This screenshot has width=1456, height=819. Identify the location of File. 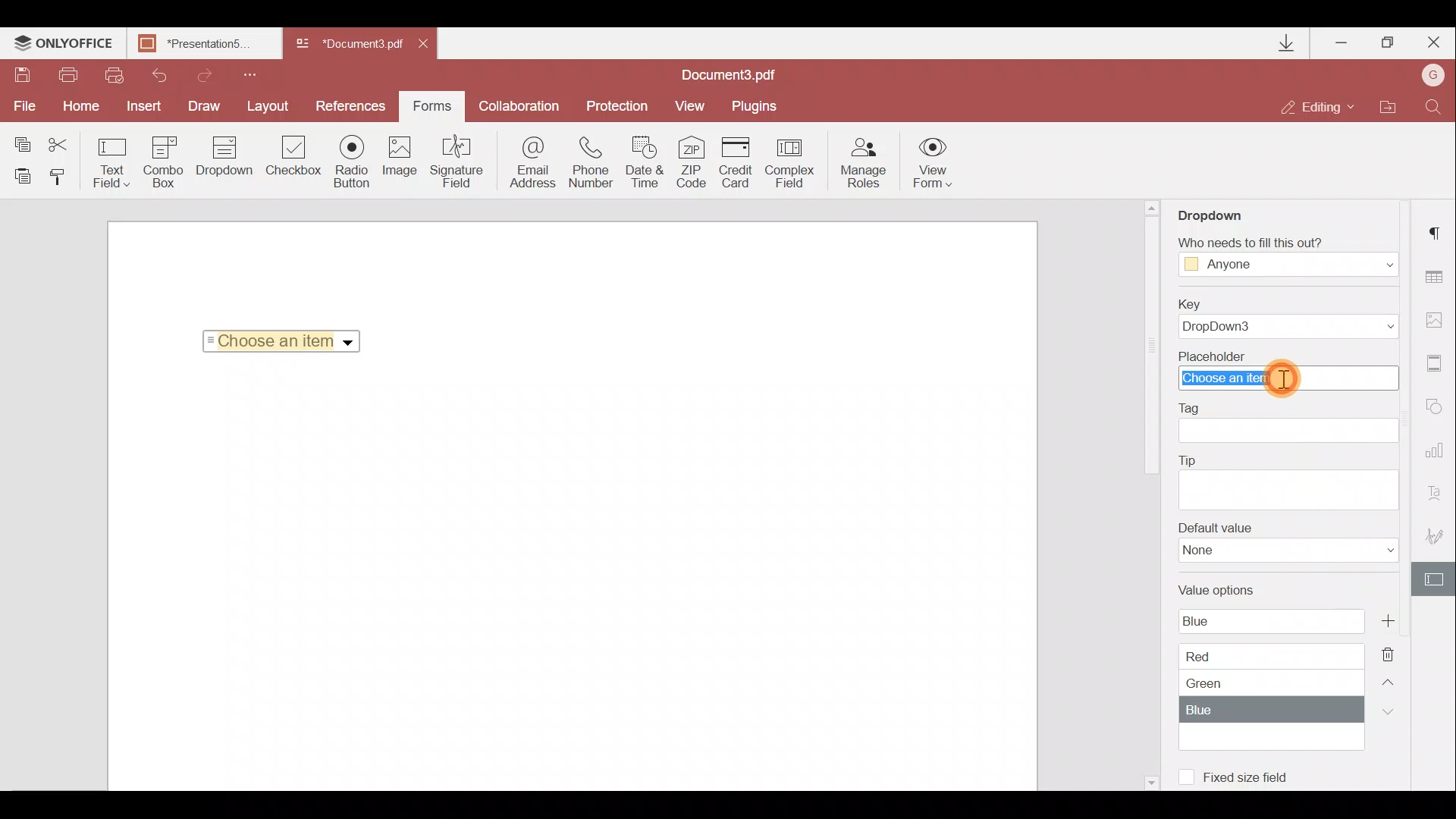
(26, 108).